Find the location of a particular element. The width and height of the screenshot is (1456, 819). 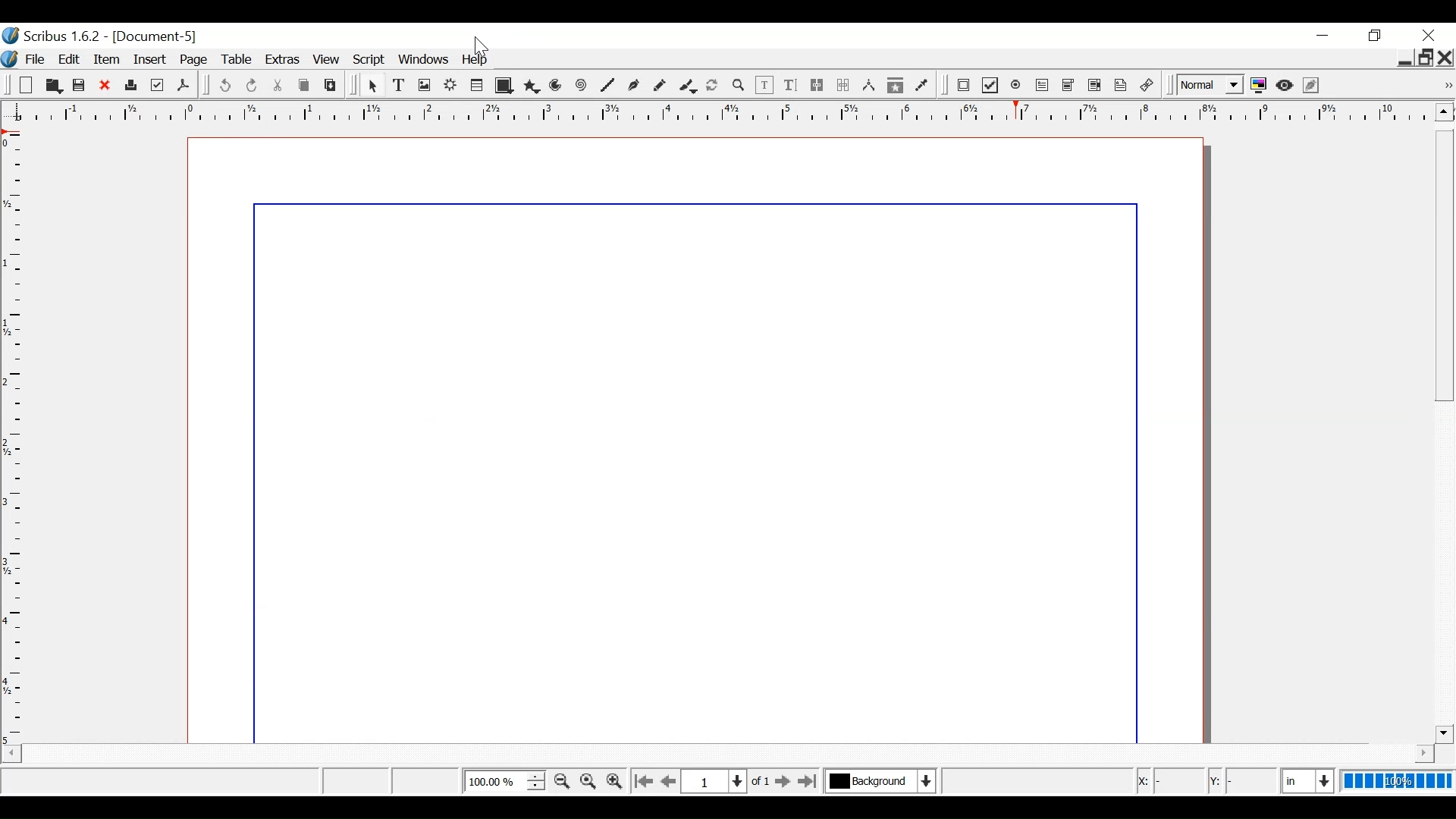

Edit Text with Story Editor is located at coordinates (789, 85).